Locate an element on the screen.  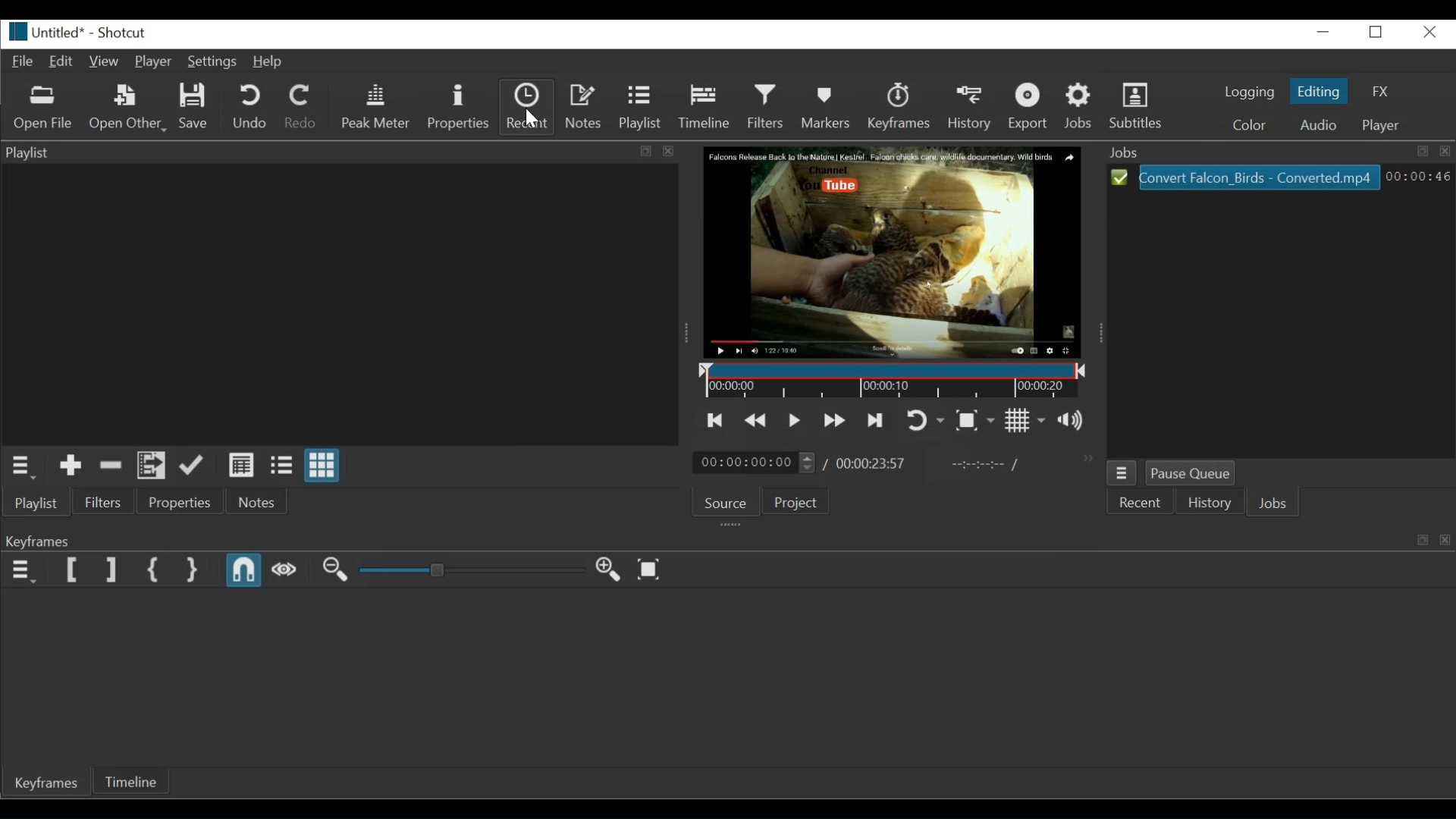
Markers is located at coordinates (829, 107).